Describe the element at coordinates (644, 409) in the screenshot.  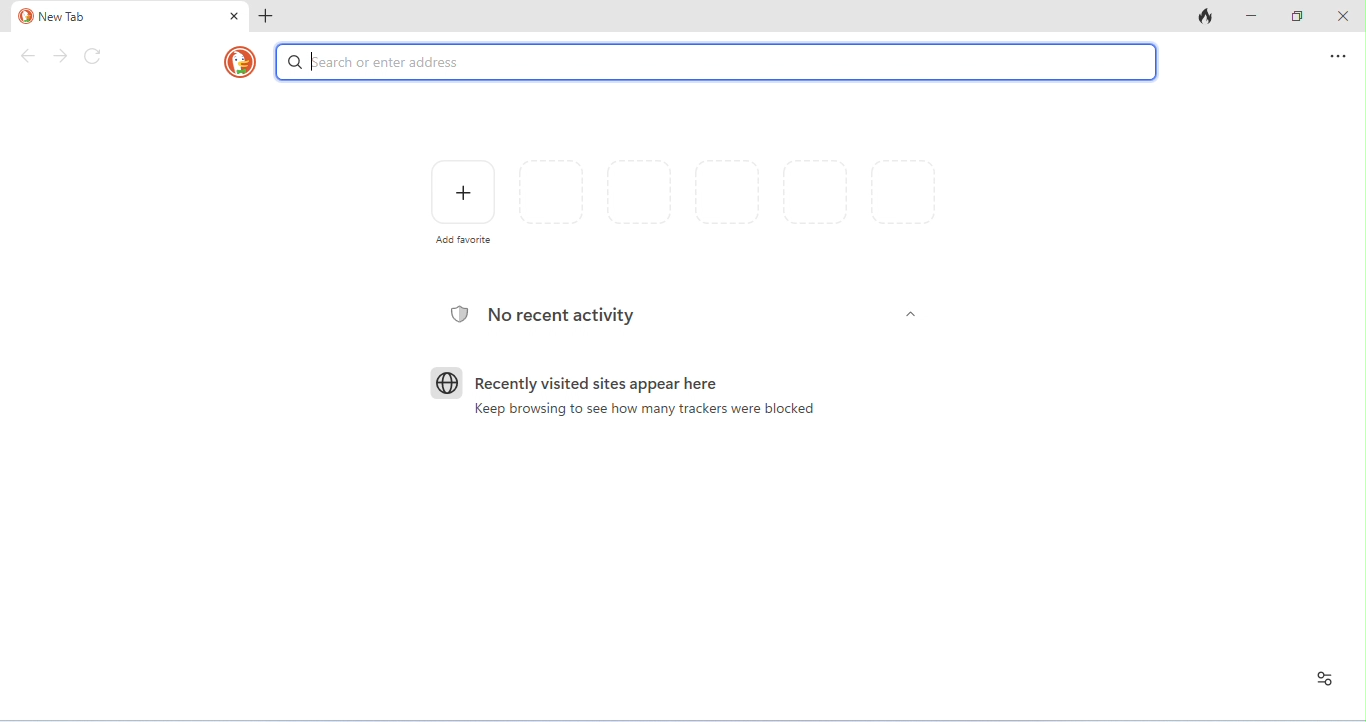
I see `keep browsing to see how many trackers are blocked` at that location.